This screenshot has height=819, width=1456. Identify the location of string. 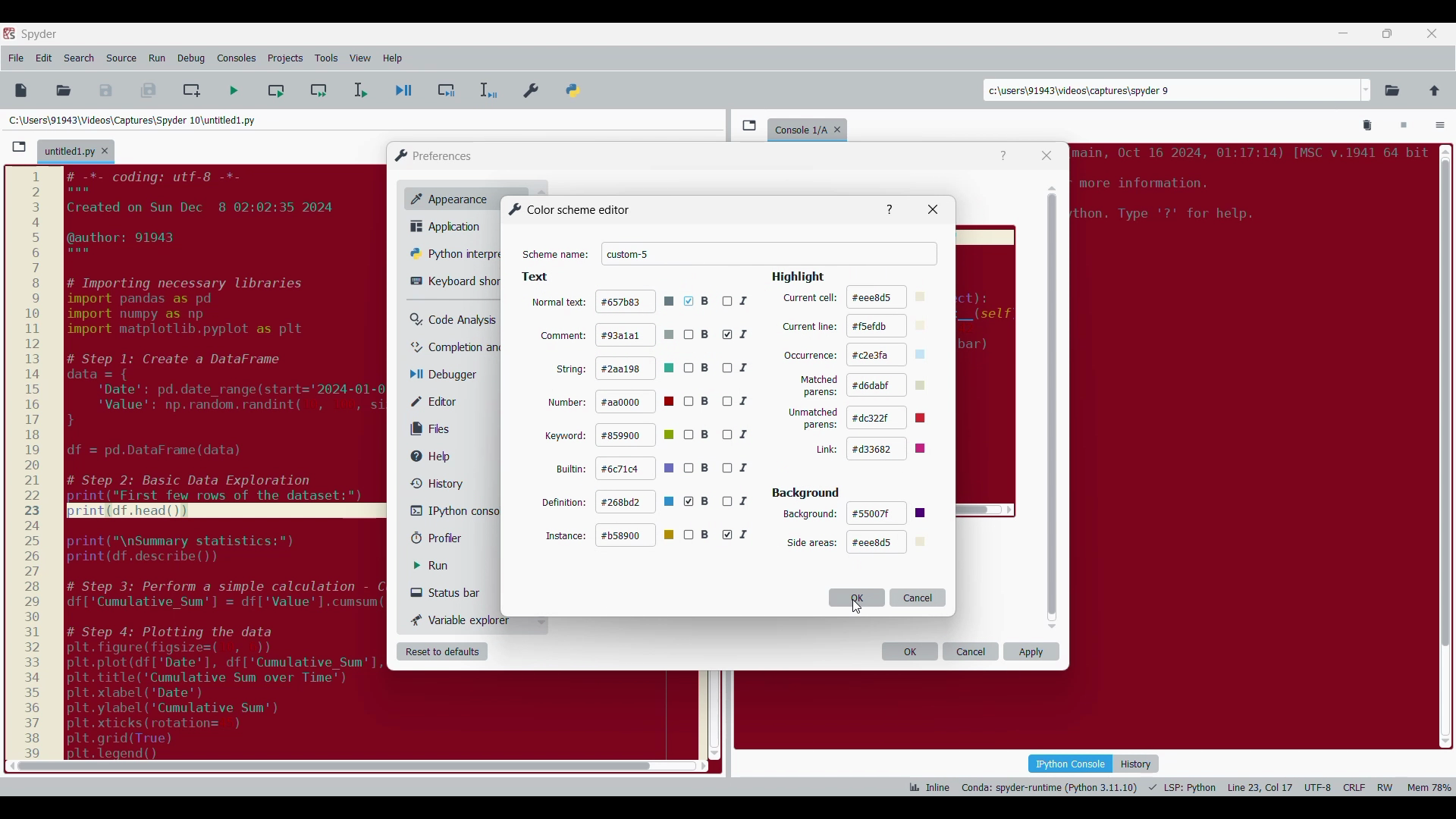
(573, 369).